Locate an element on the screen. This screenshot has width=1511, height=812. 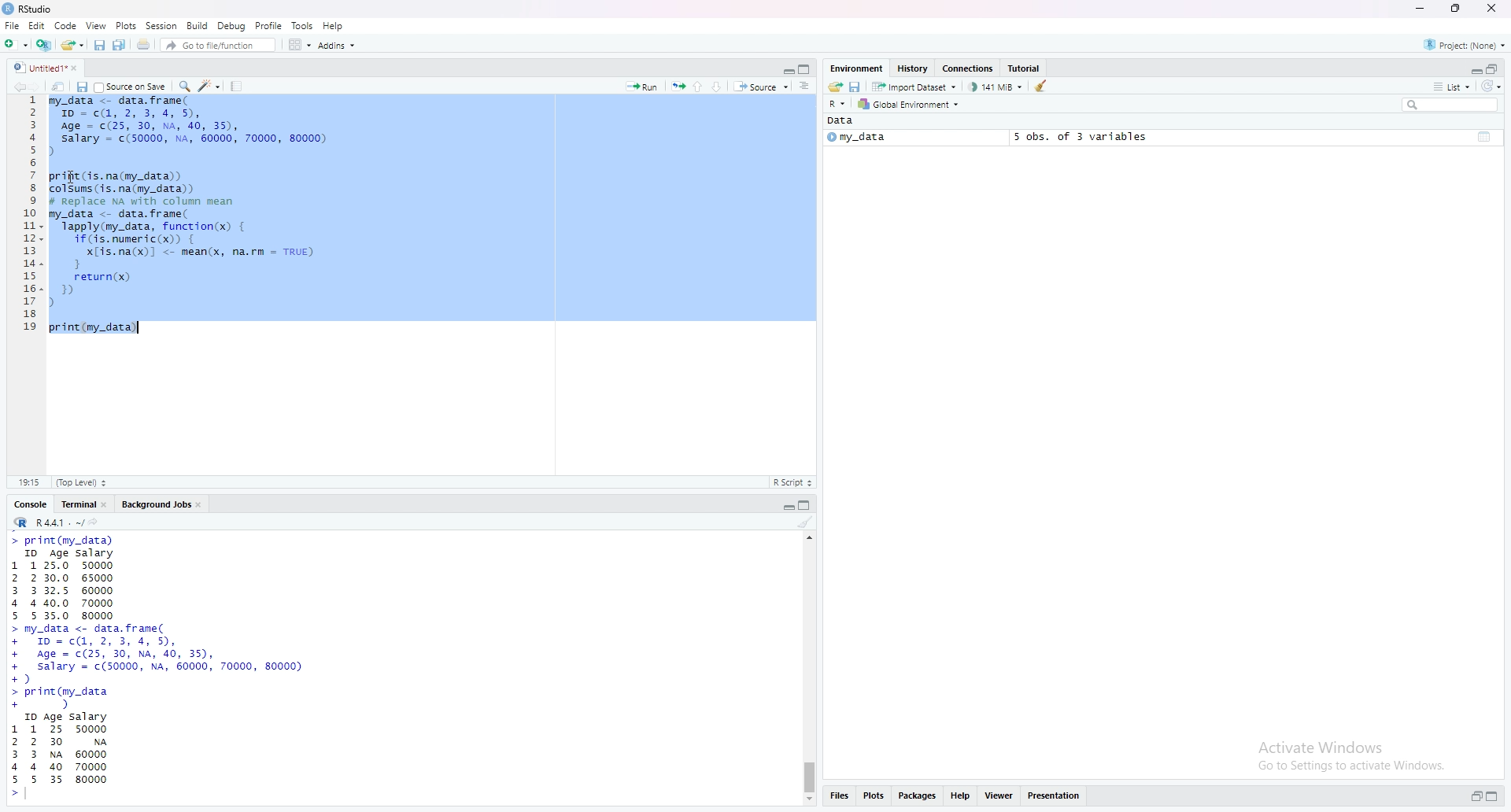
data frame code is located at coordinates (193, 216).